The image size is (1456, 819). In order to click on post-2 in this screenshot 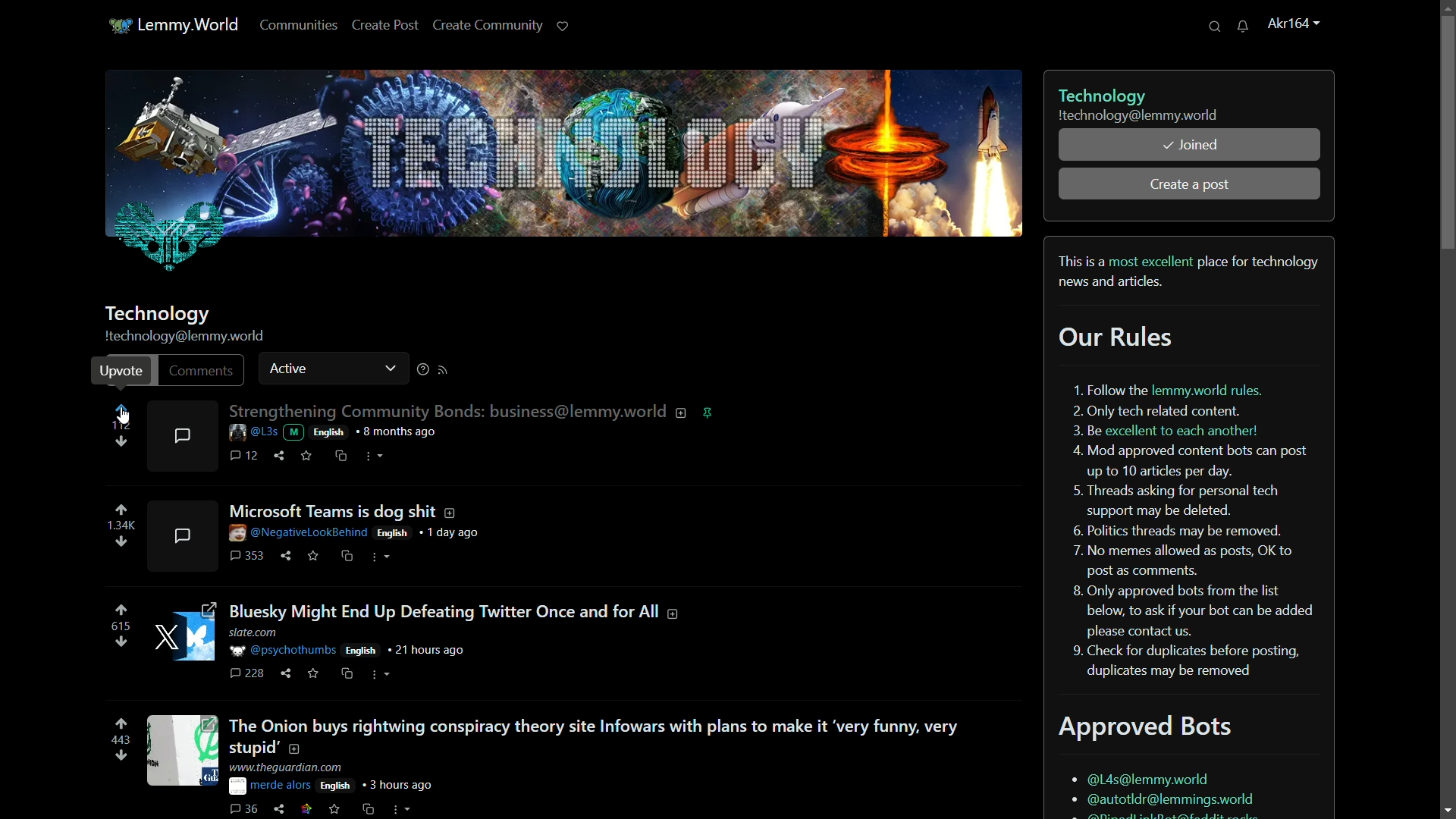, I will do `click(353, 508)`.